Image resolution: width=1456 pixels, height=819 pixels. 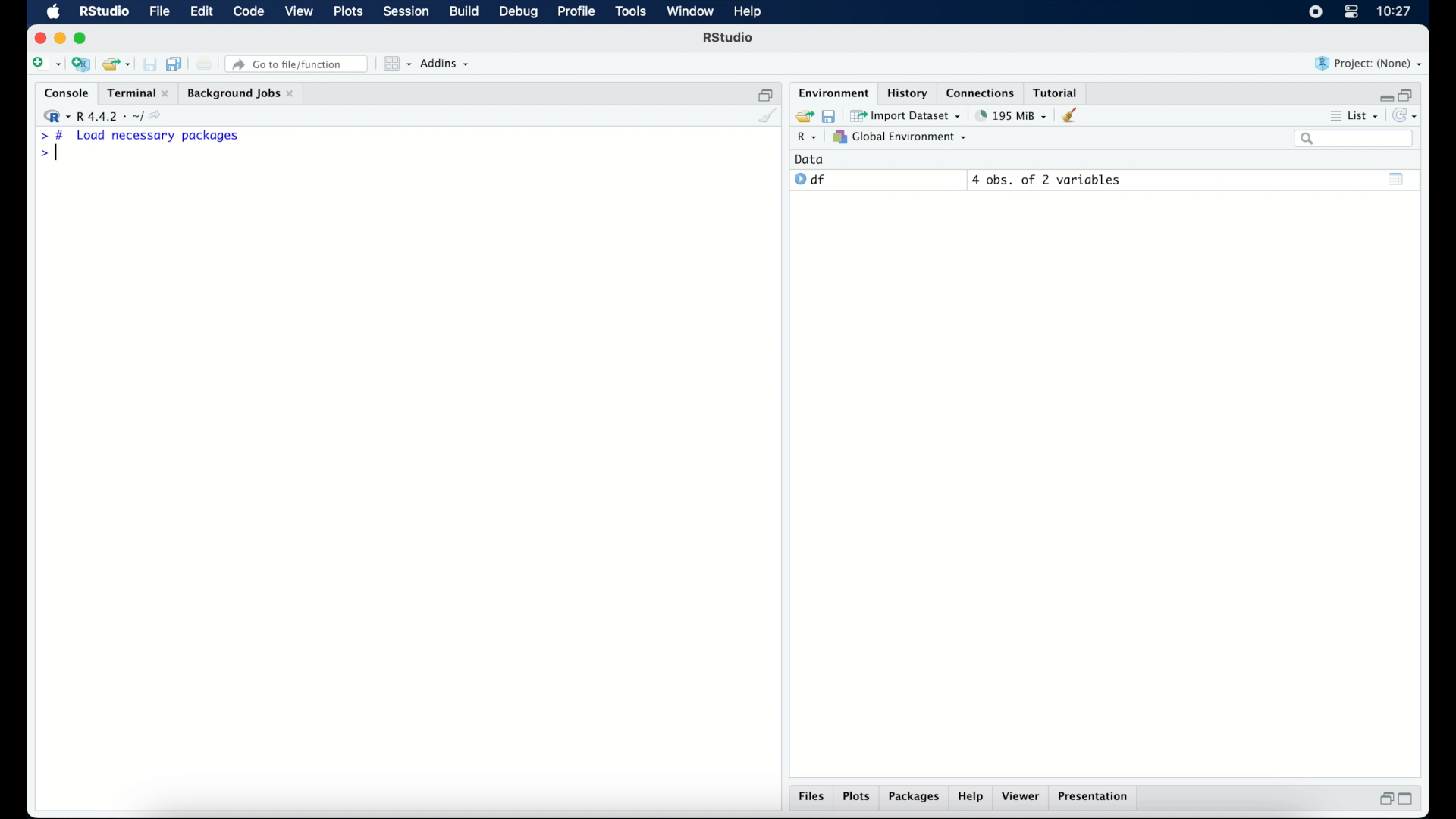 What do you see at coordinates (1409, 93) in the screenshot?
I see `restore down` at bounding box center [1409, 93].